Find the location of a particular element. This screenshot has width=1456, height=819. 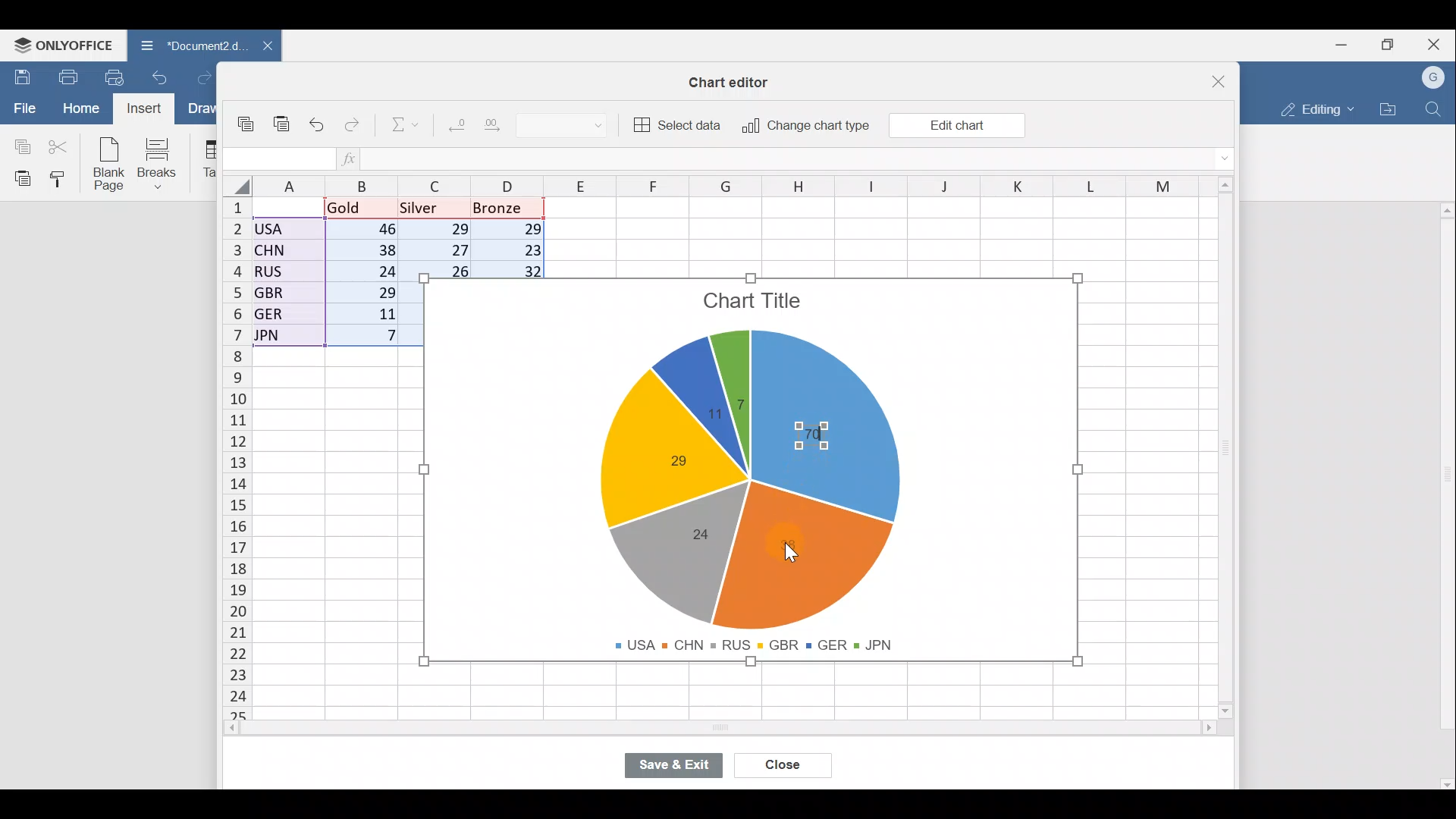

Chart title is located at coordinates (755, 304).